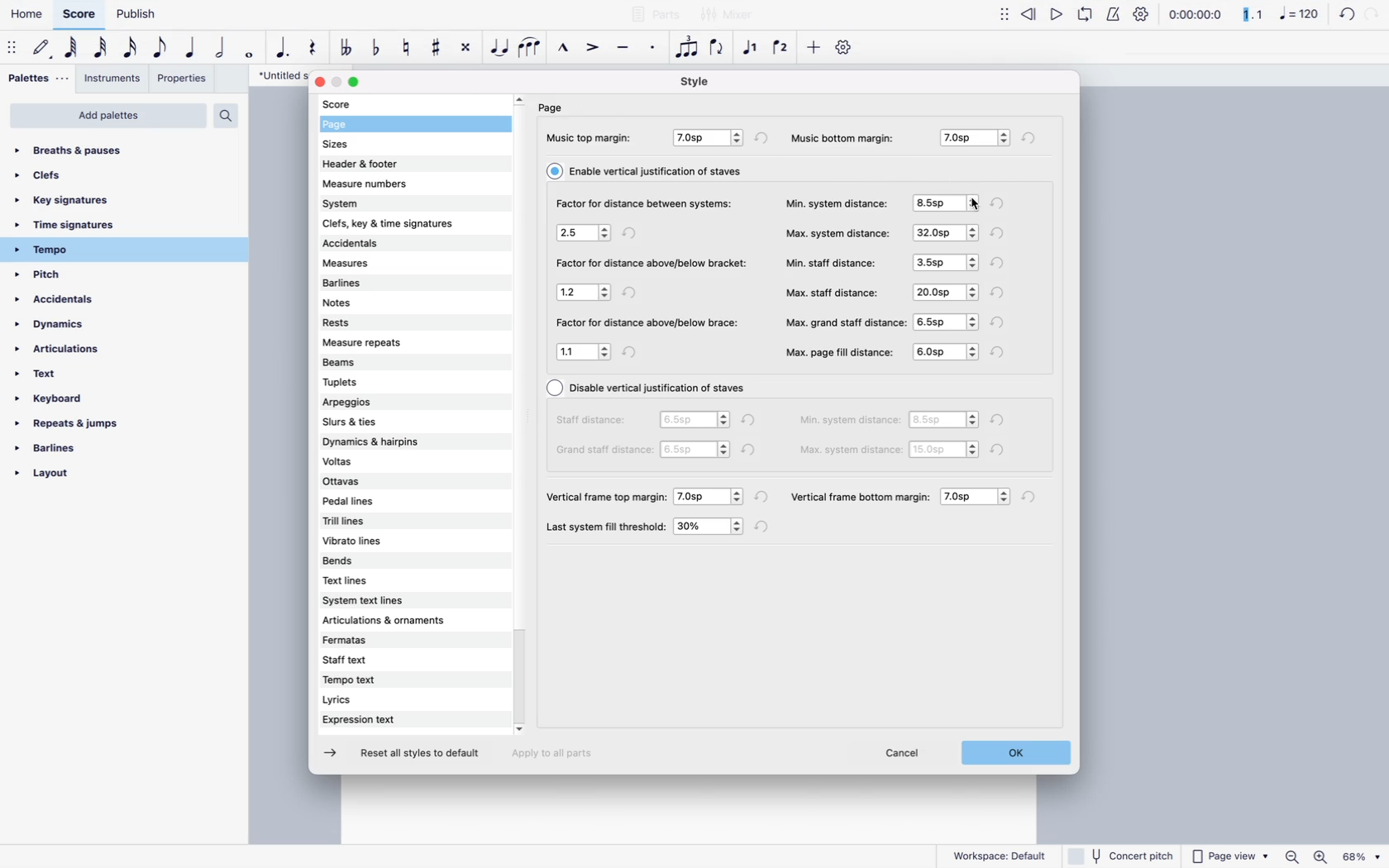 This screenshot has width=1389, height=868. What do you see at coordinates (753, 451) in the screenshot?
I see `refresh` at bounding box center [753, 451].